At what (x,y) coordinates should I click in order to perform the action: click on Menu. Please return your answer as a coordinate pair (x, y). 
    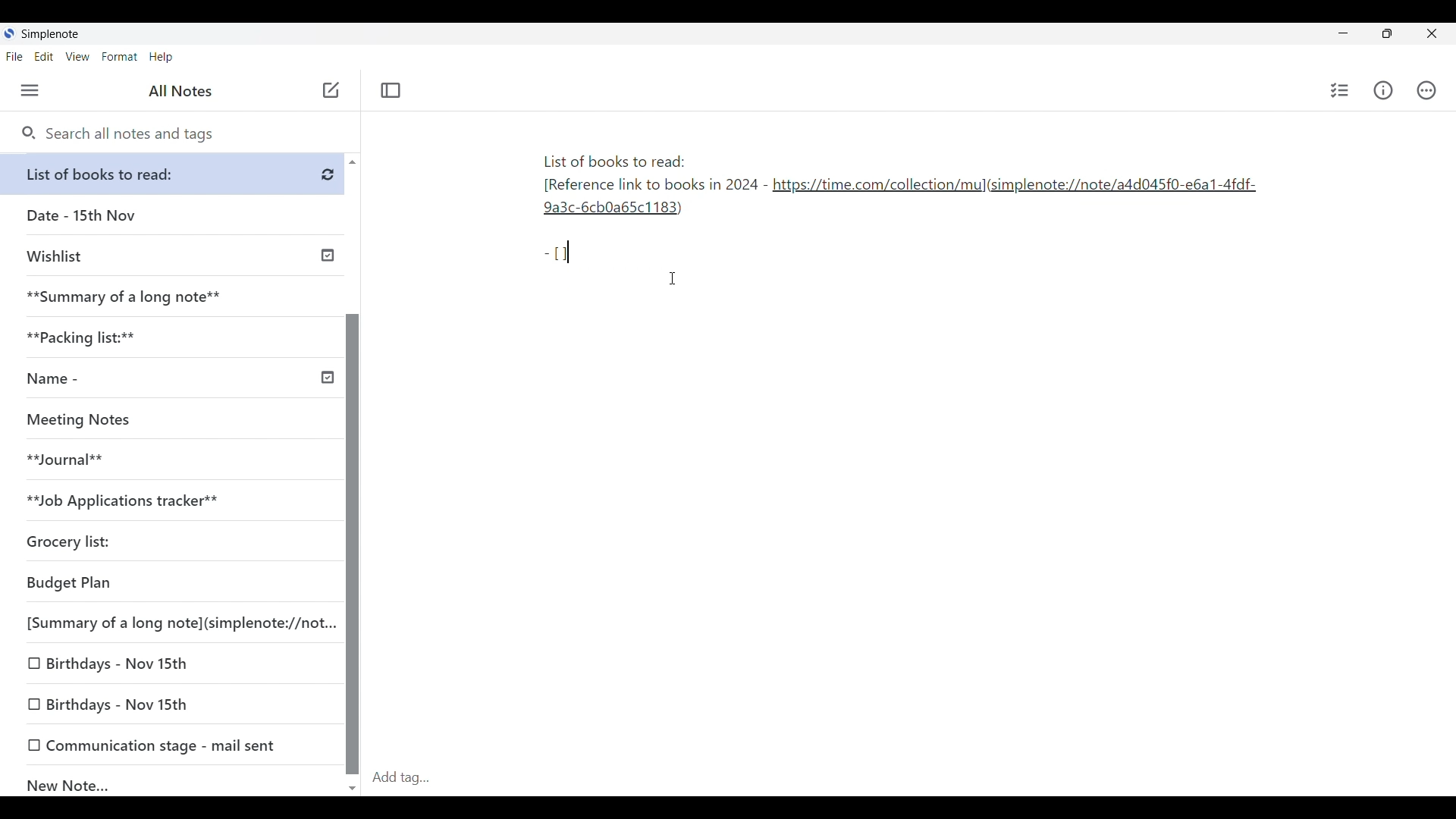
    Looking at the image, I should click on (30, 91).